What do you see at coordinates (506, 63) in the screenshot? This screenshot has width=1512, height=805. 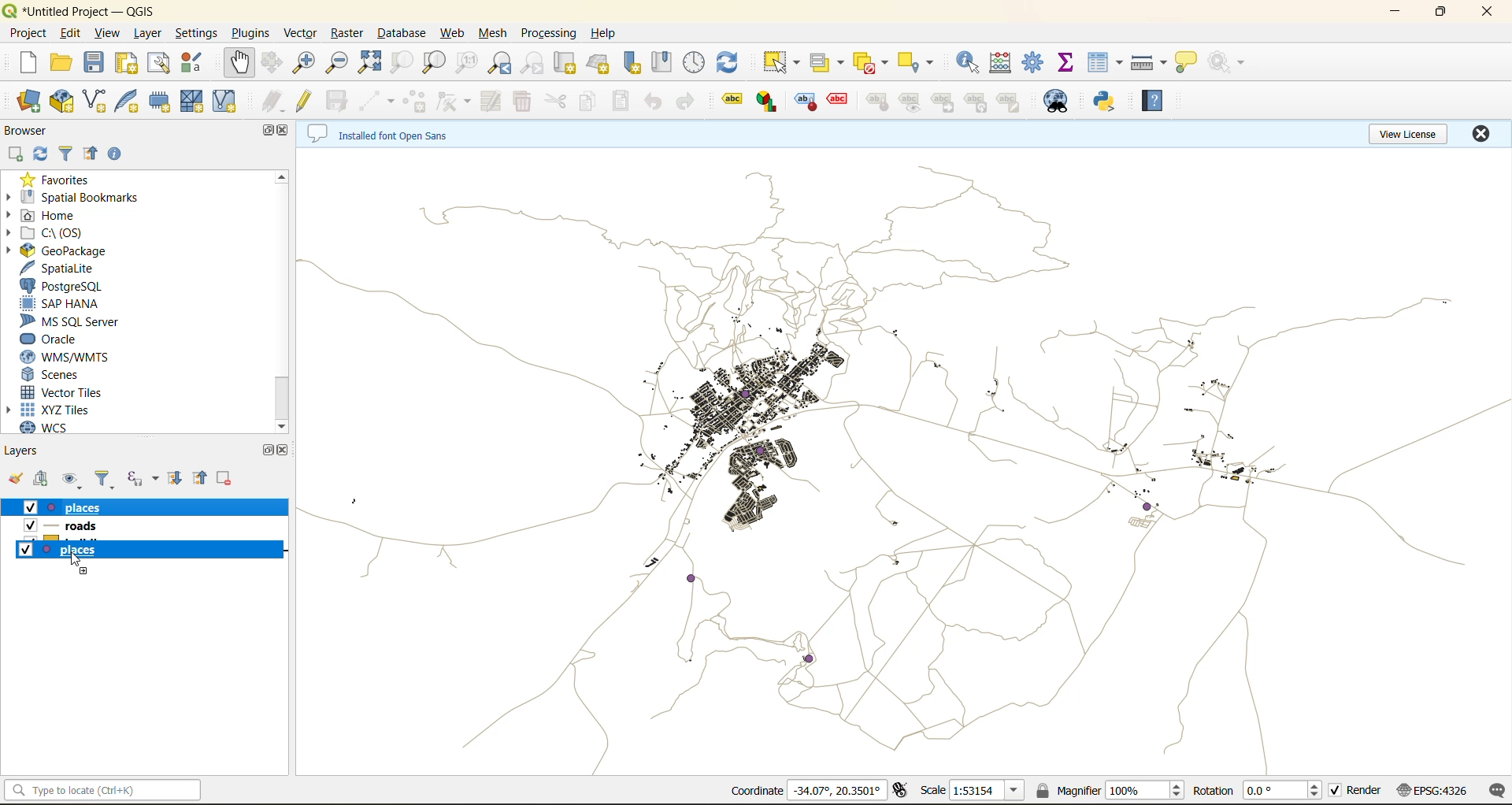 I see `zoom last` at bounding box center [506, 63].